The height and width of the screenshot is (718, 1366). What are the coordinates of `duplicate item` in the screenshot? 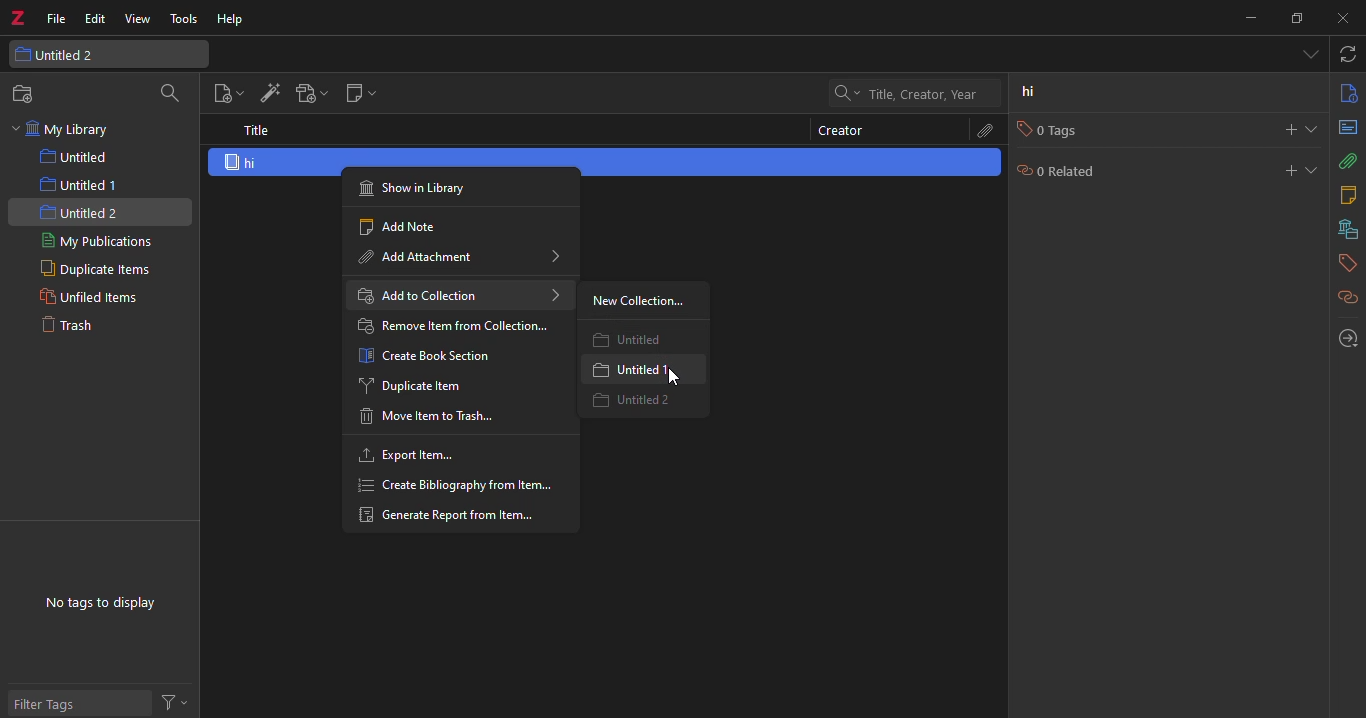 It's located at (416, 386).